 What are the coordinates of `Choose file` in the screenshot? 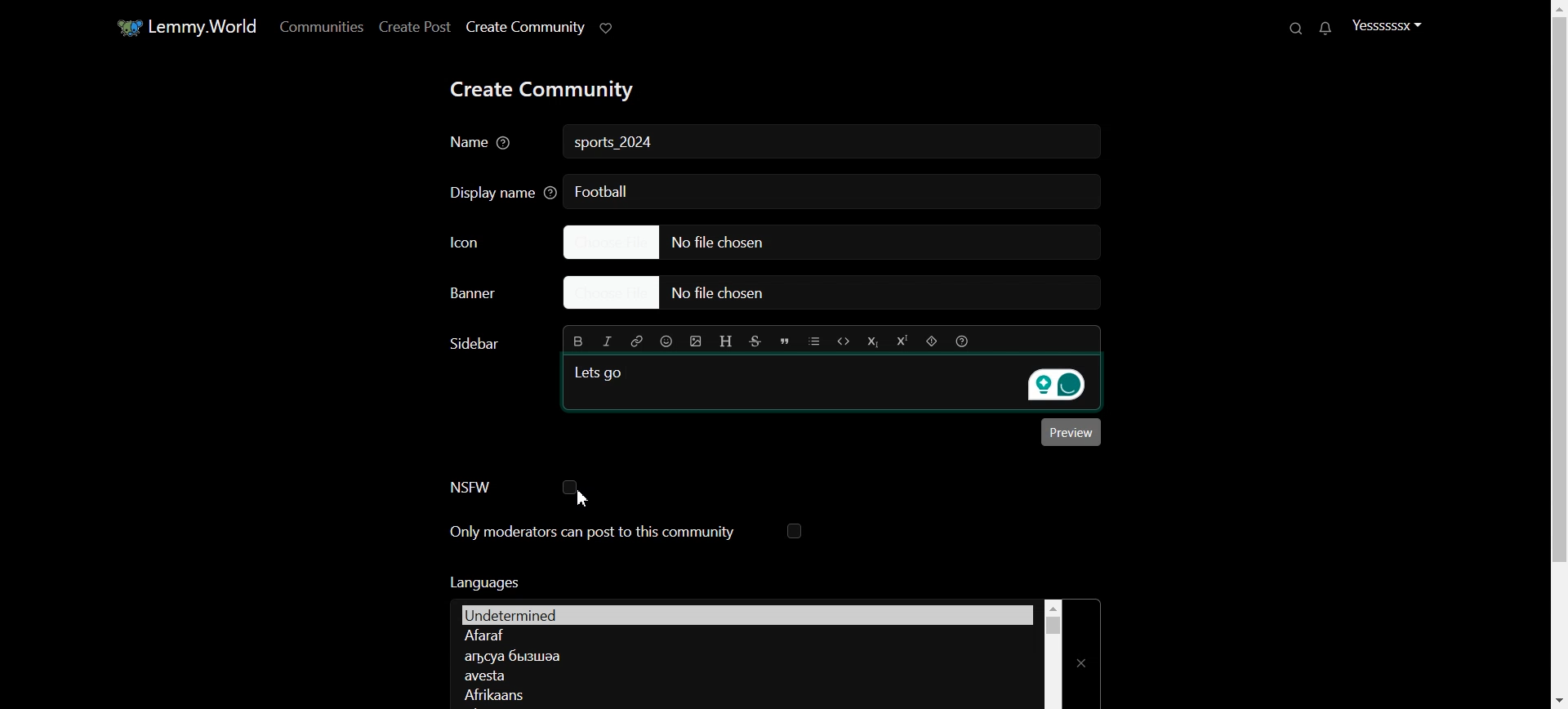 It's located at (831, 241).